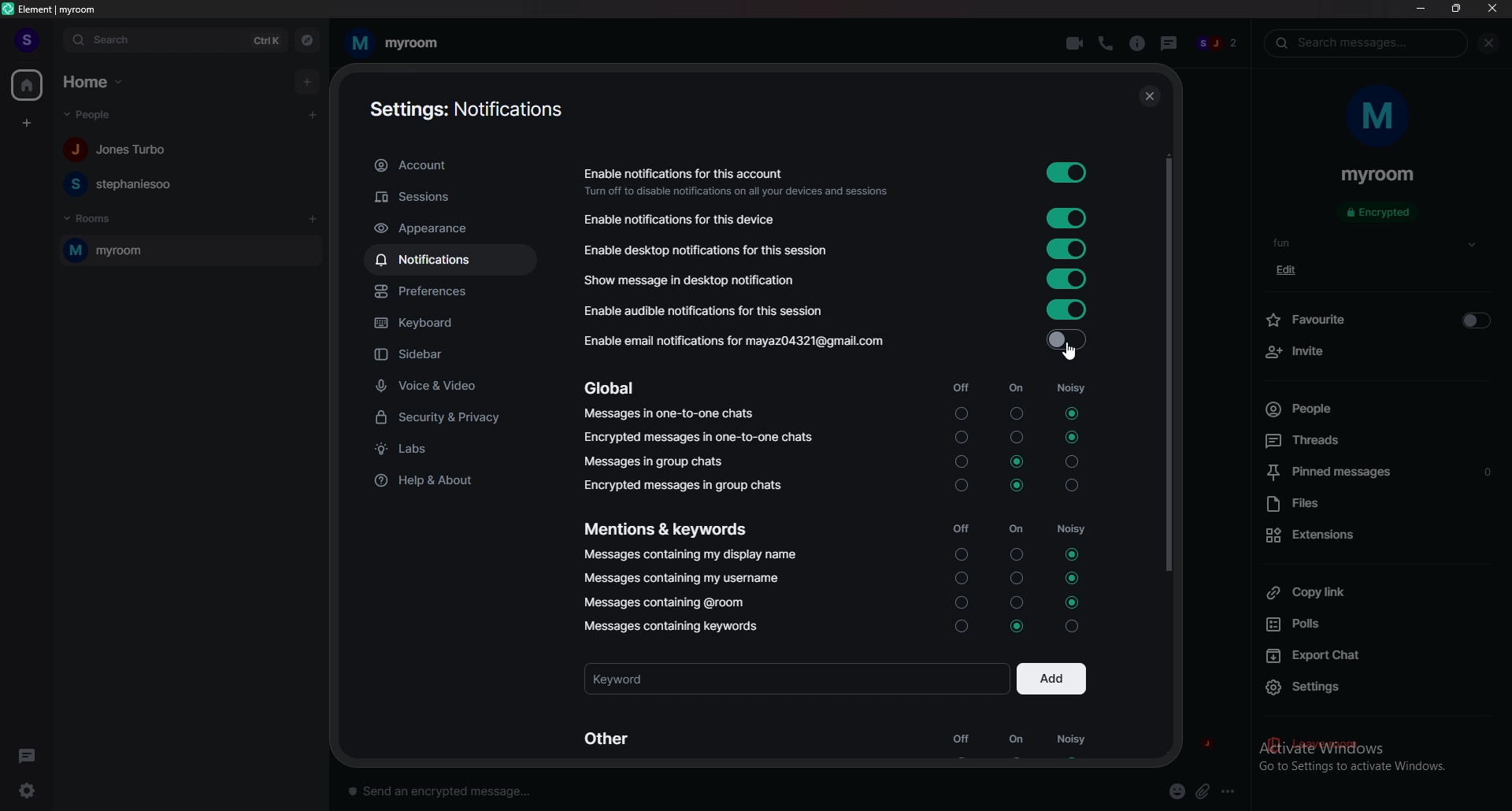 The width and height of the screenshot is (1512, 811). I want to click on options, so click(1231, 791).